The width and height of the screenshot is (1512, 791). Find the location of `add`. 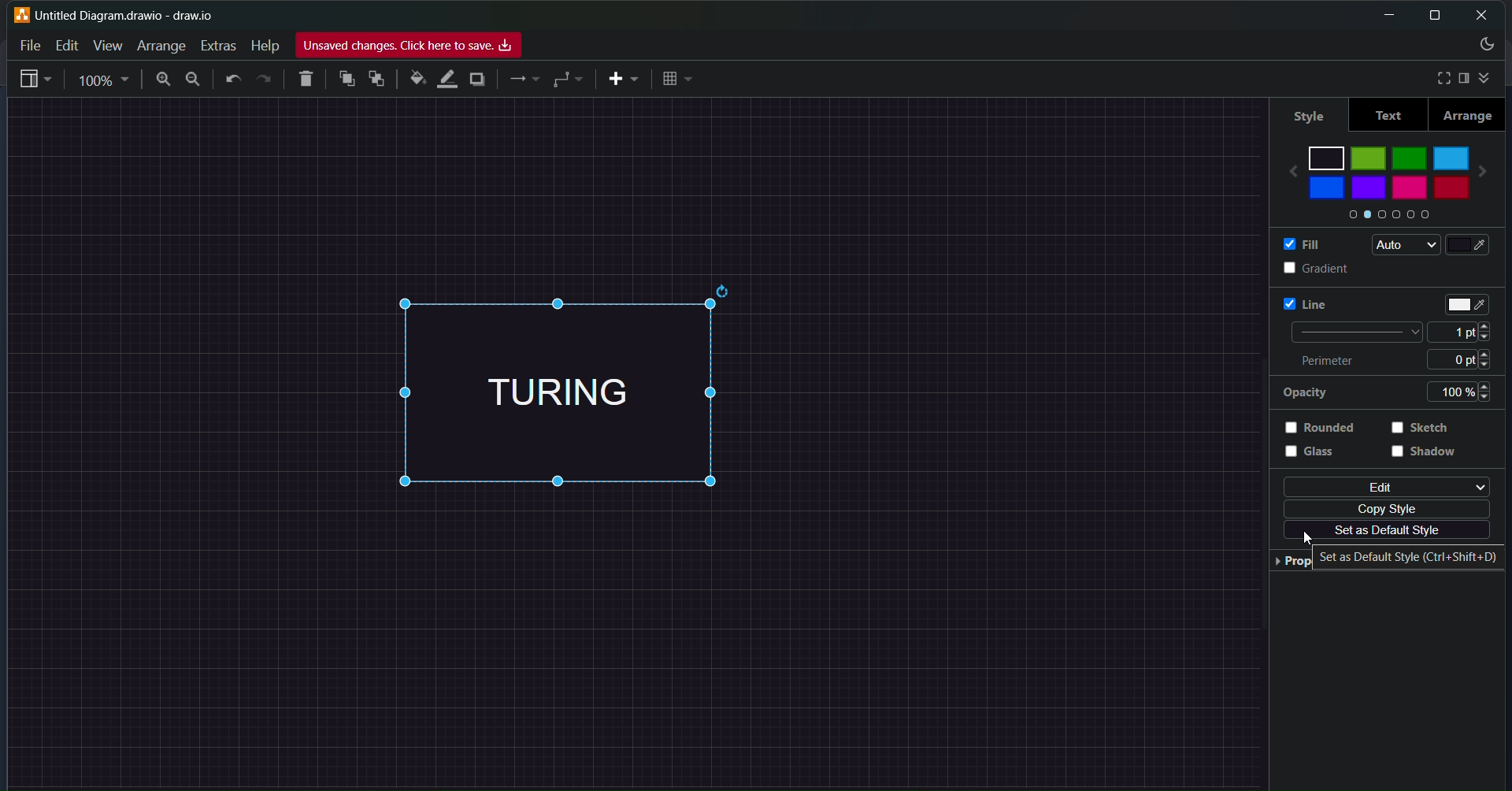

add is located at coordinates (622, 79).